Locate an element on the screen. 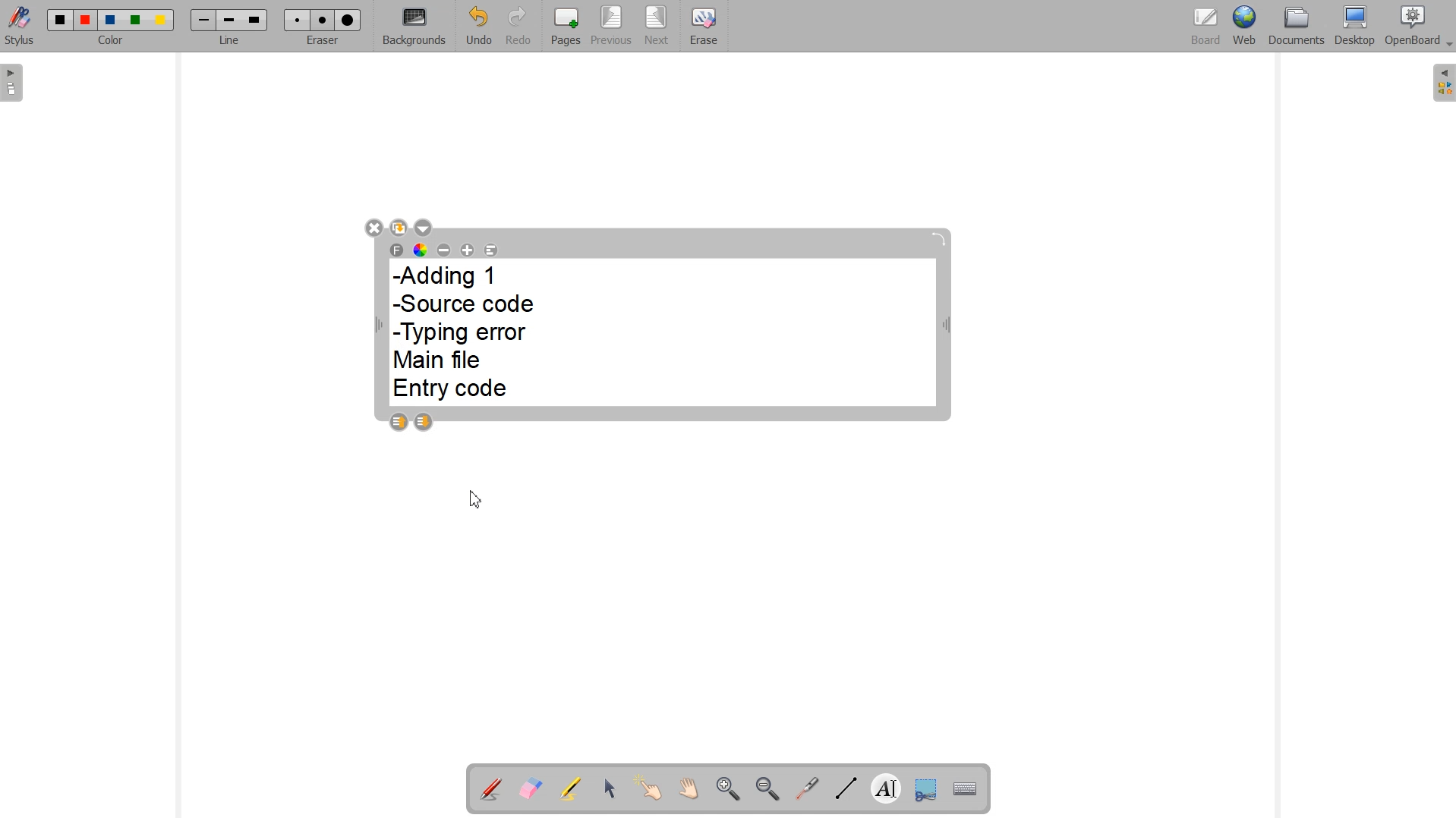  Previous is located at coordinates (611, 27).